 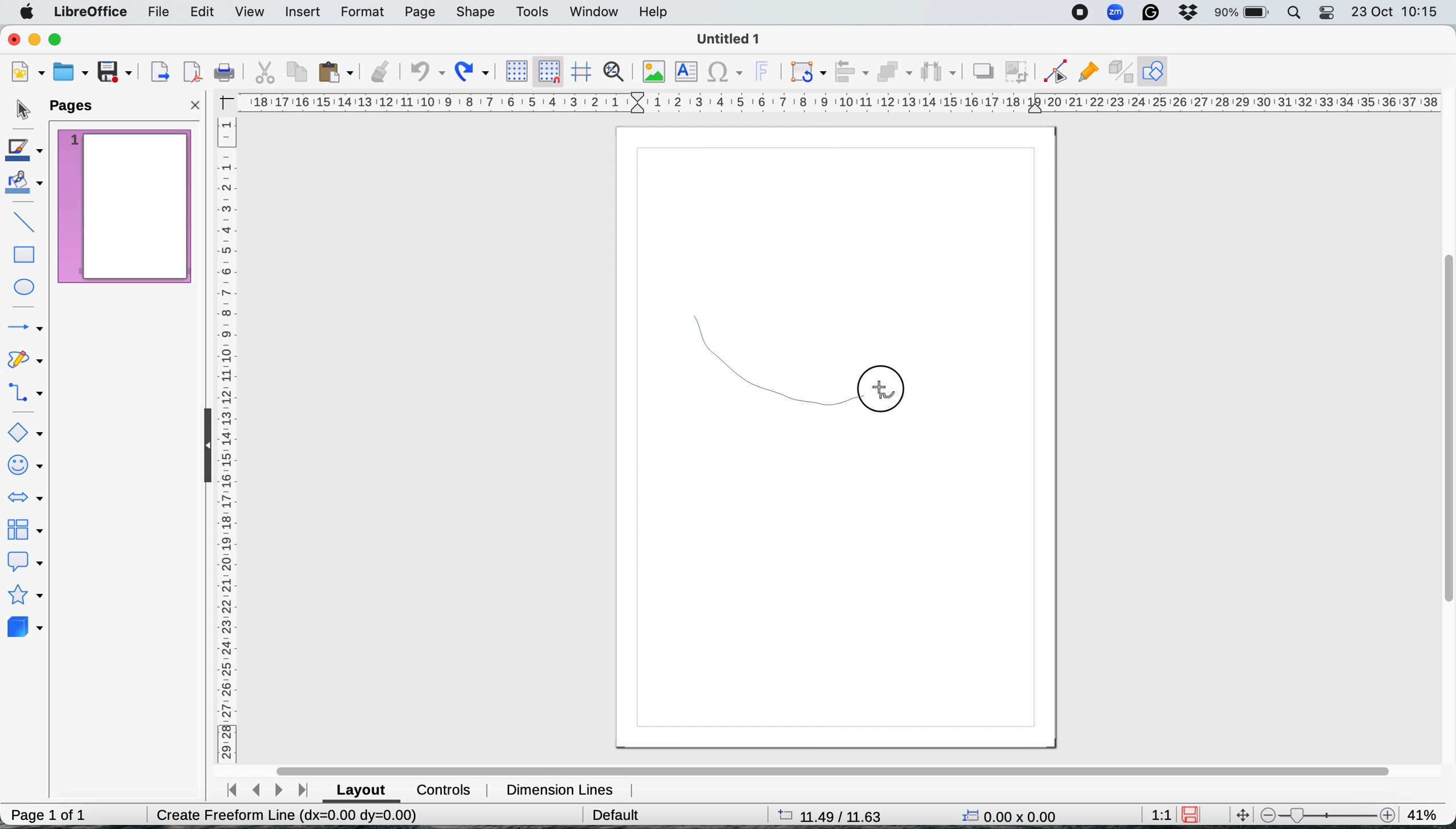 I want to click on 3d objects, so click(x=26, y=630).